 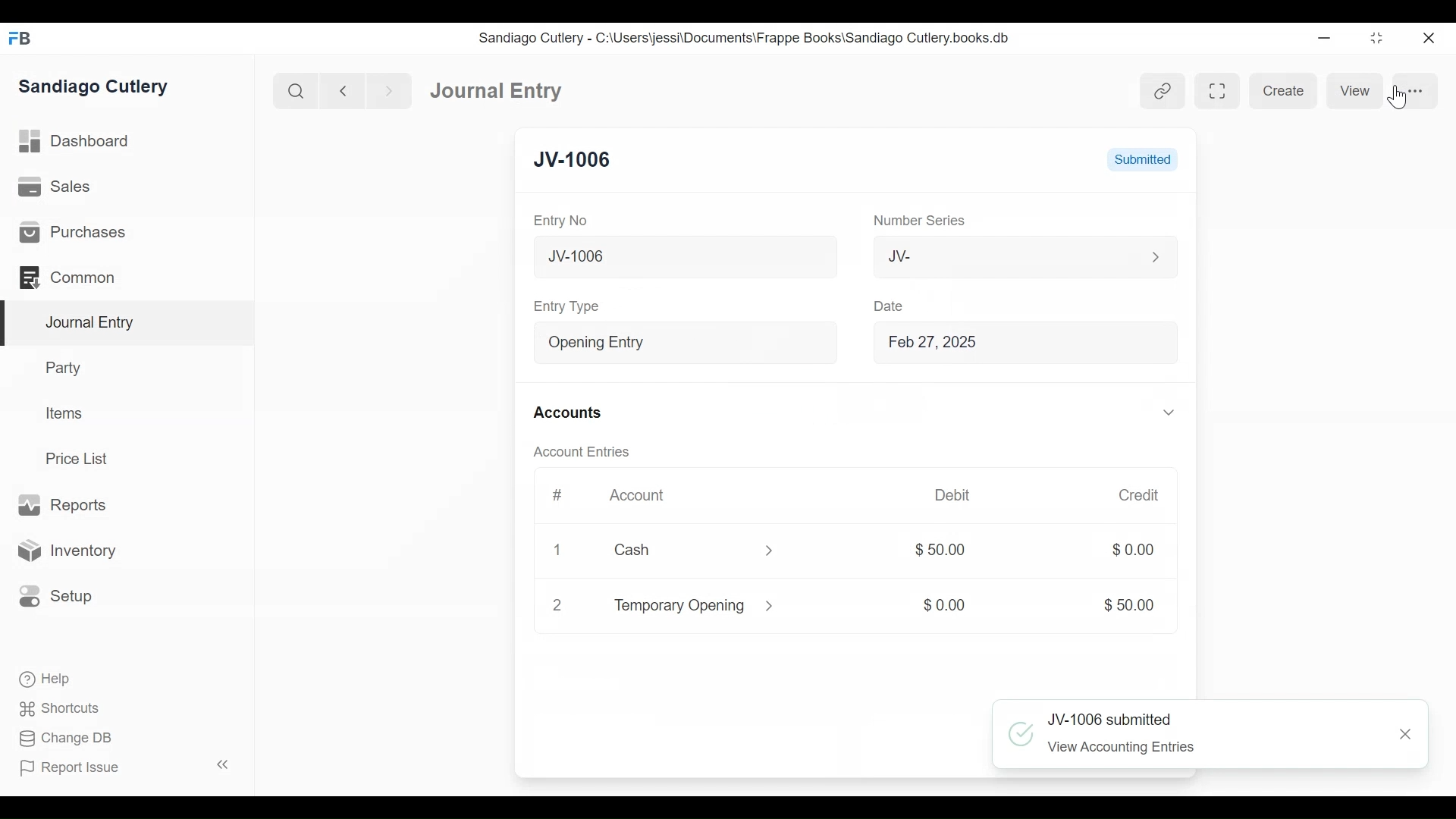 What do you see at coordinates (75, 232) in the screenshot?
I see `Purchases` at bounding box center [75, 232].